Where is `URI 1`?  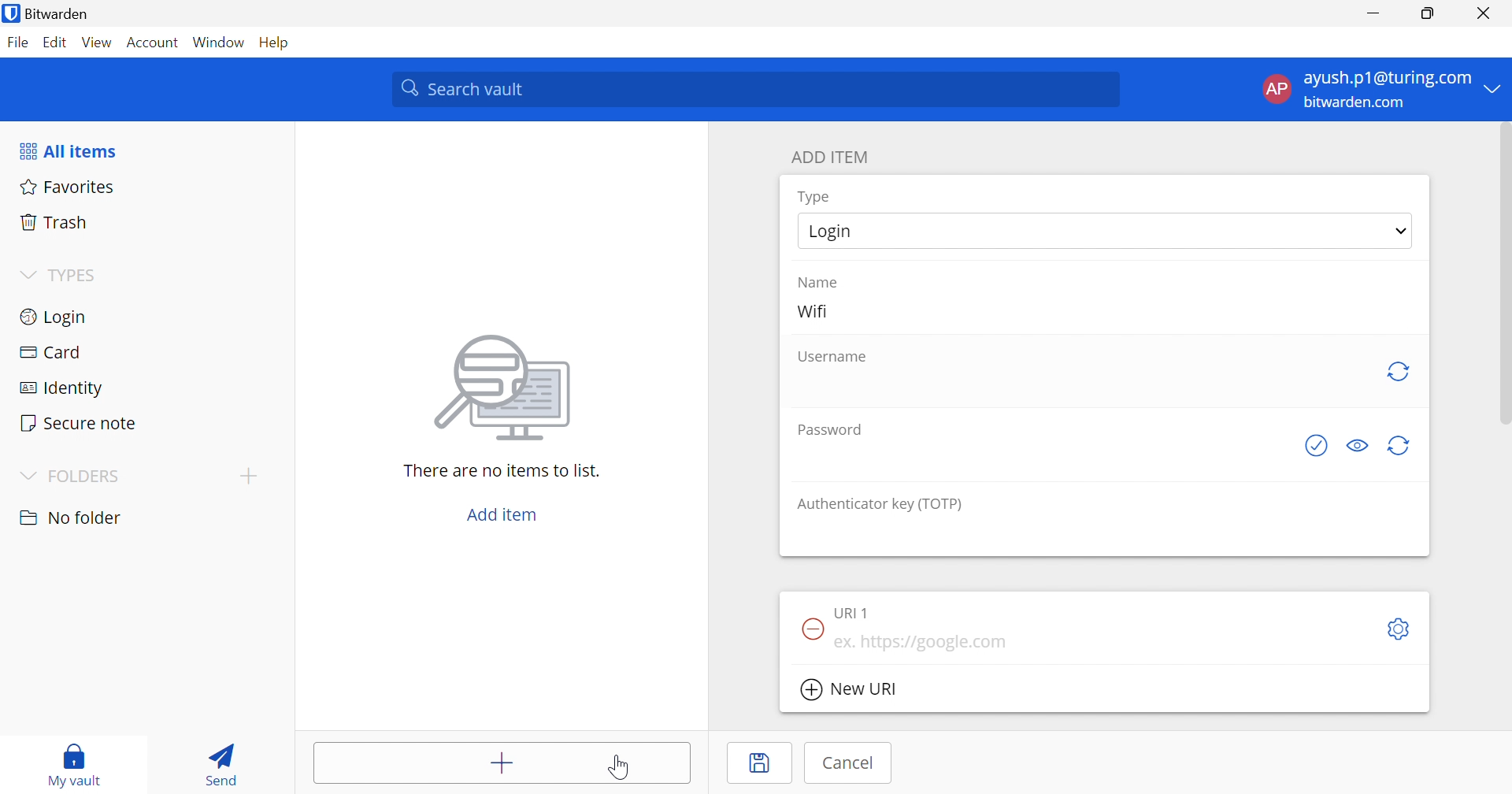
URI 1 is located at coordinates (854, 611).